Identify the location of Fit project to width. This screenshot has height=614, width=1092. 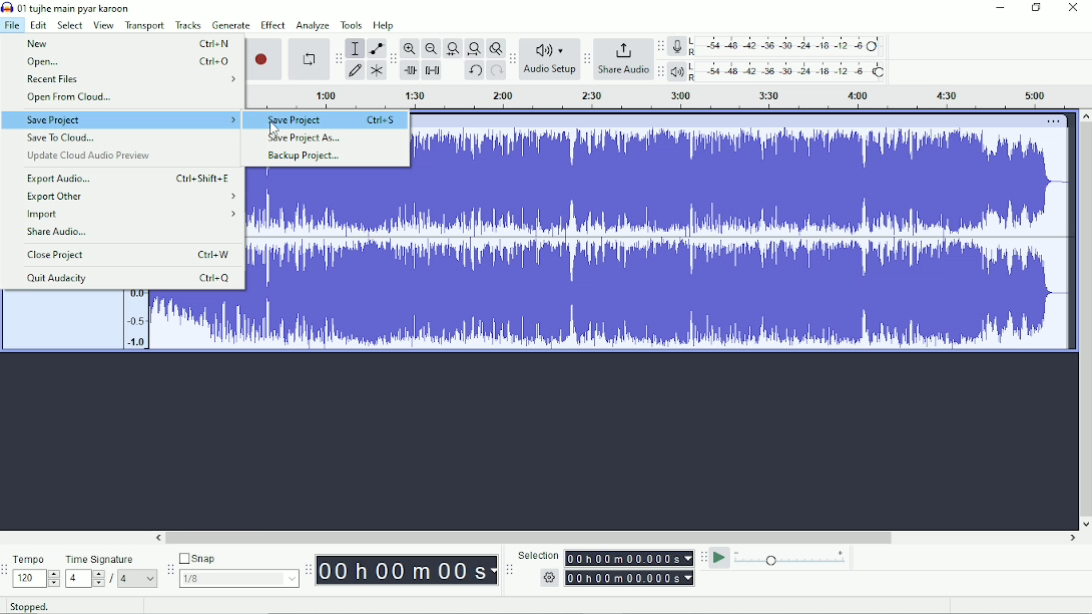
(475, 48).